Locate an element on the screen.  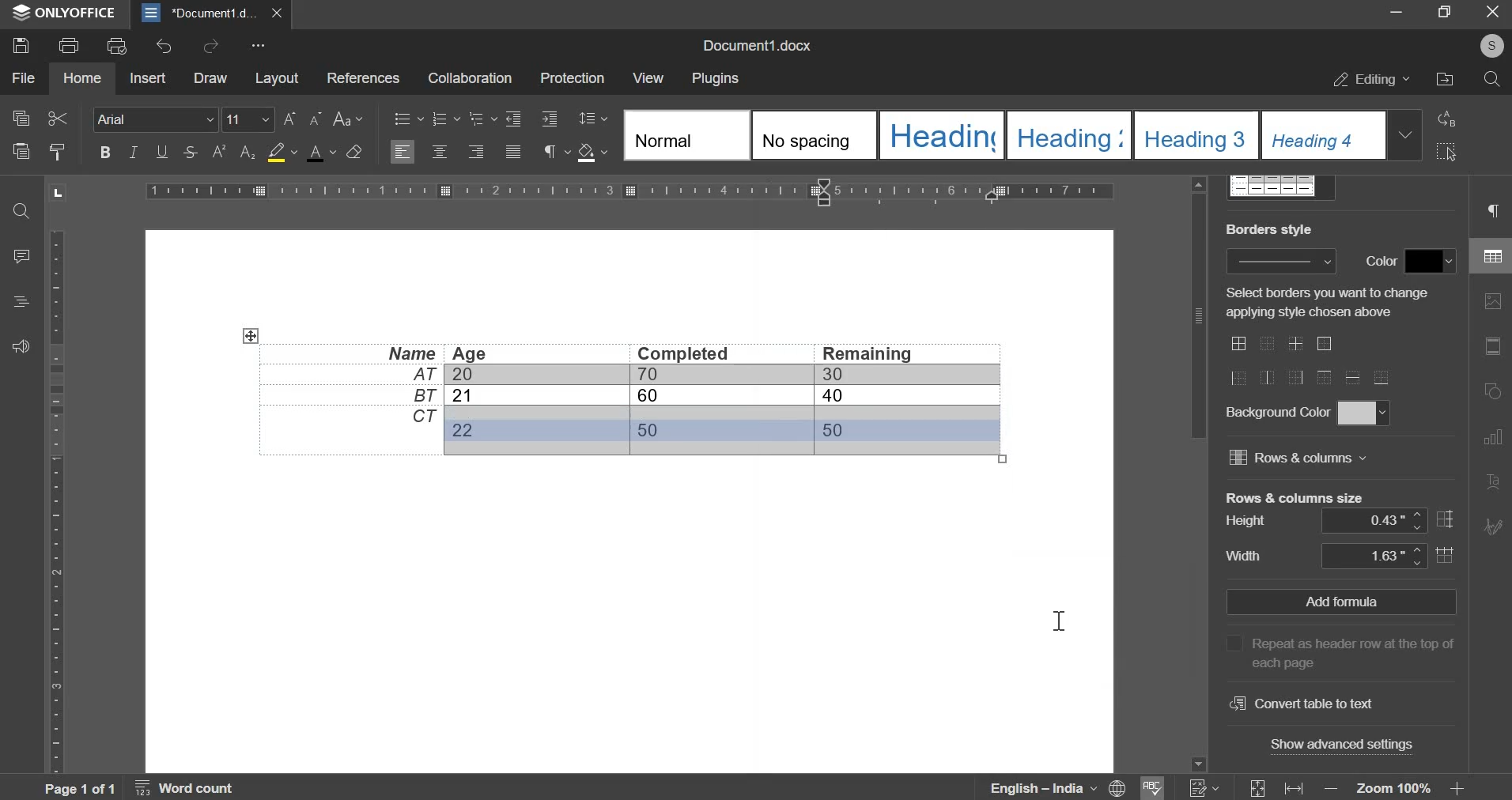
Add formula is located at coordinates (1341, 601).